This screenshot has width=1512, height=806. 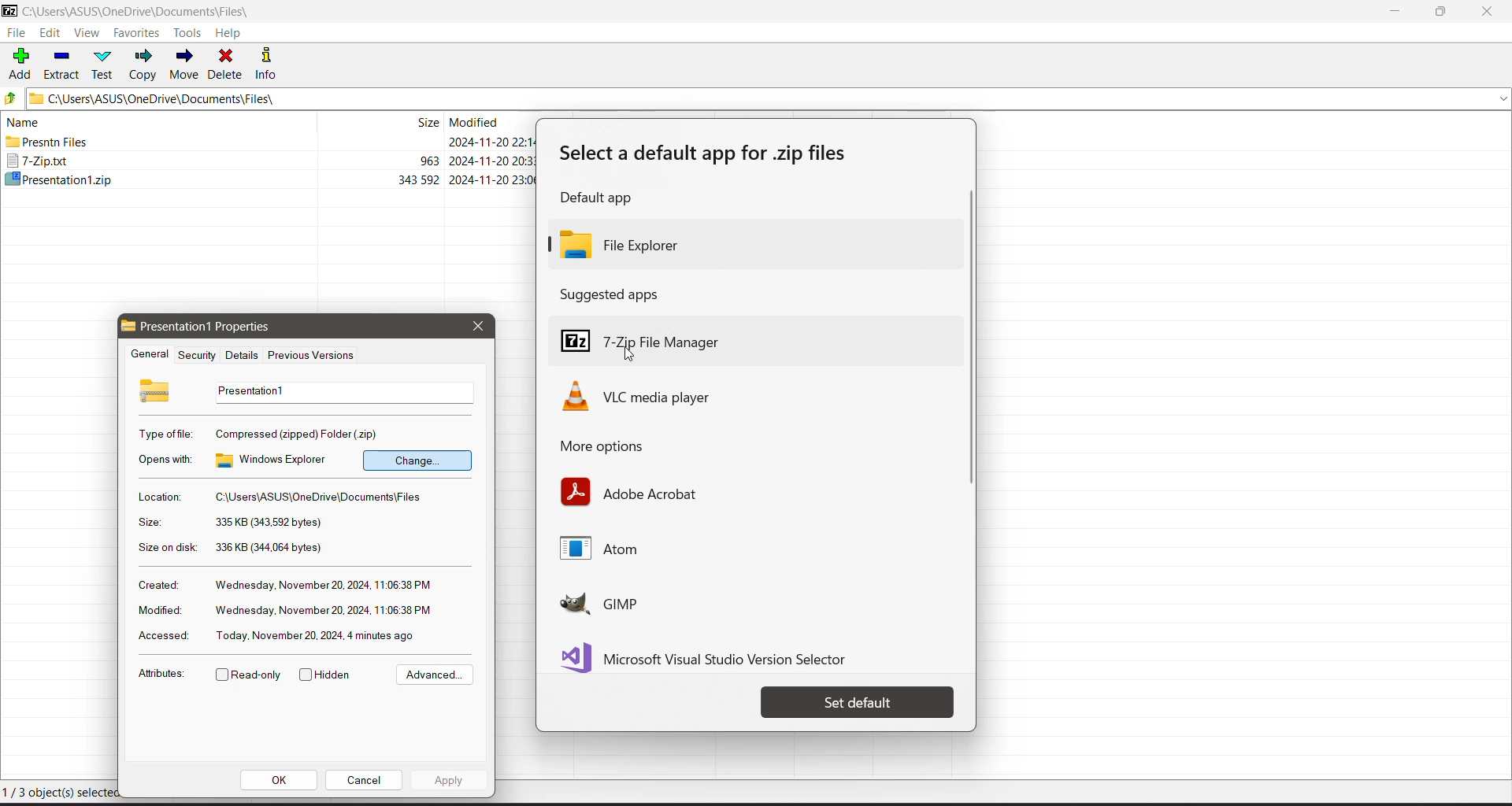 I want to click on Vertical Scroll Bar, so click(x=967, y=340).